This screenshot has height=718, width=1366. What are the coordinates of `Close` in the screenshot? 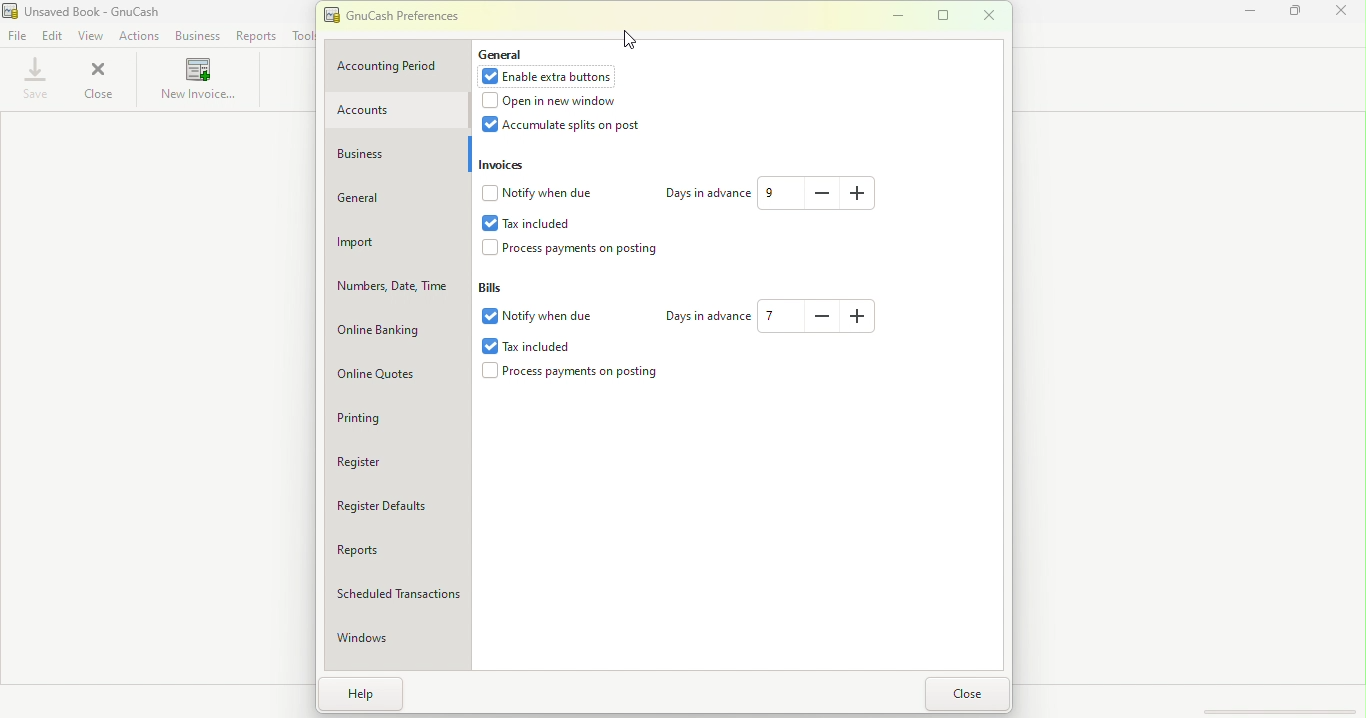 It's located at (97, 79).